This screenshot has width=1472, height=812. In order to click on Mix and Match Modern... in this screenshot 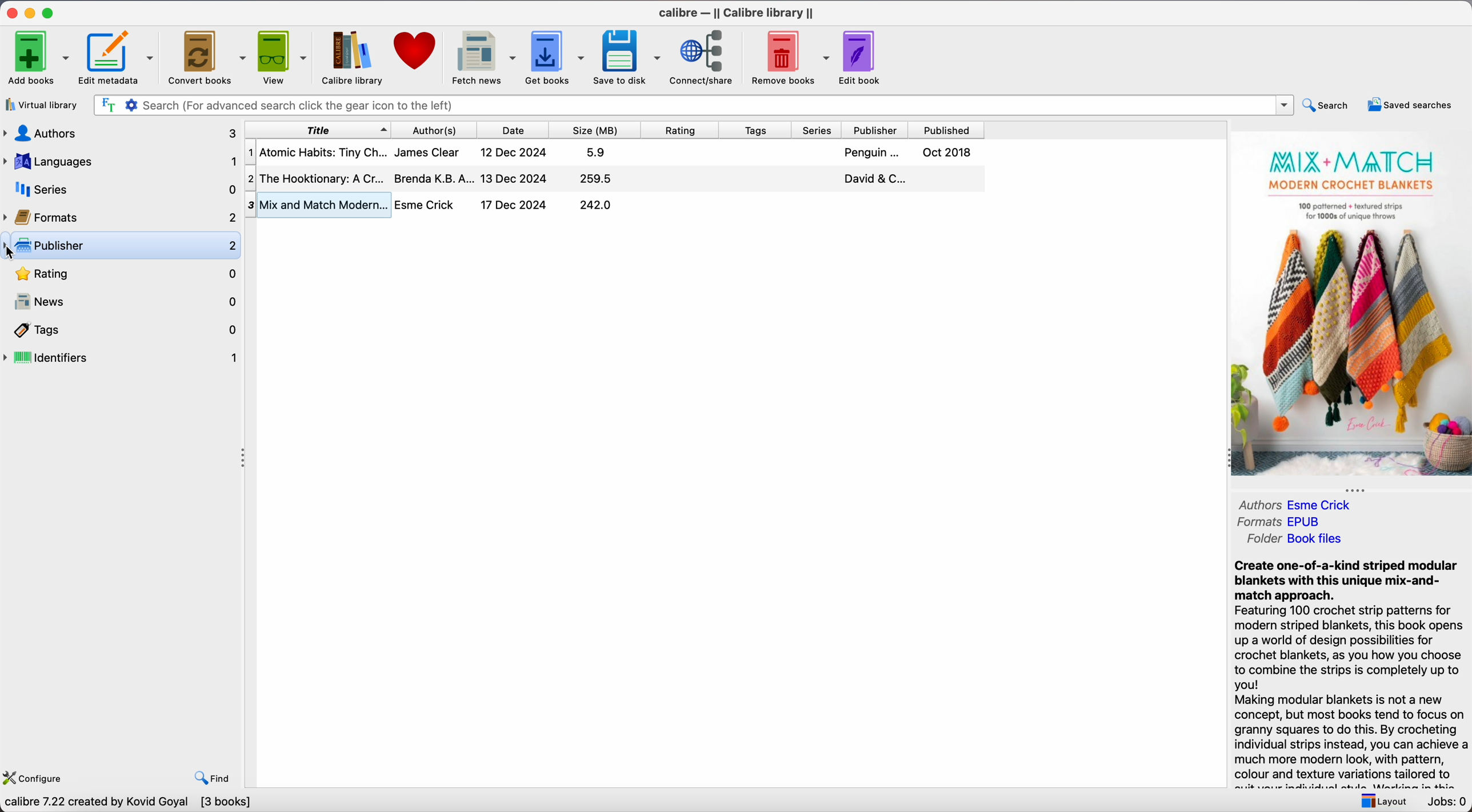, I will do `click(438, 205)`.